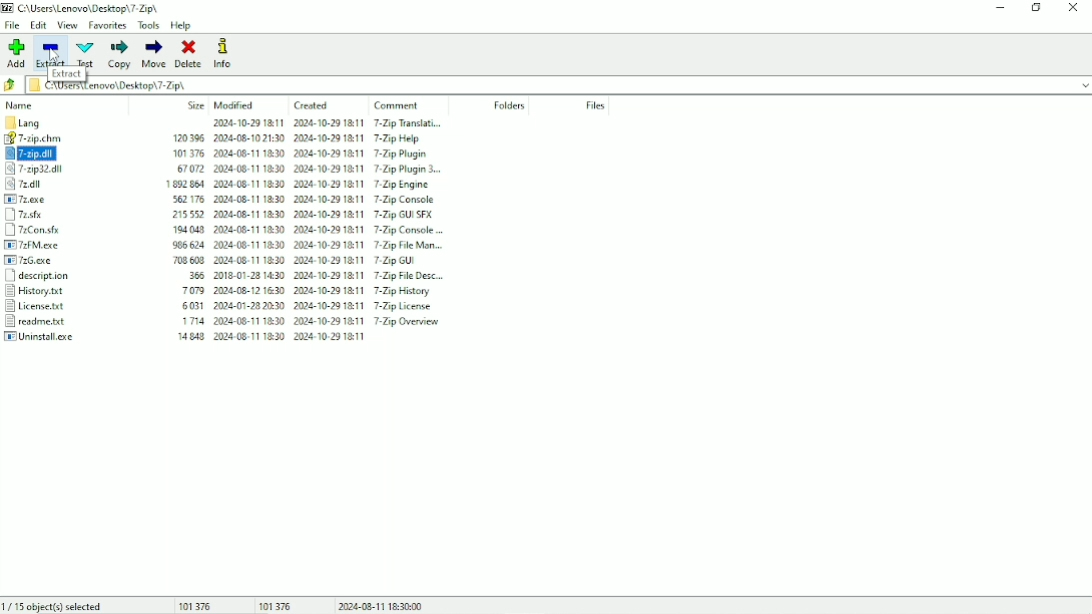  Describe the element at coordinates (21, 105) in the screenshot. I see `Name` at that location.